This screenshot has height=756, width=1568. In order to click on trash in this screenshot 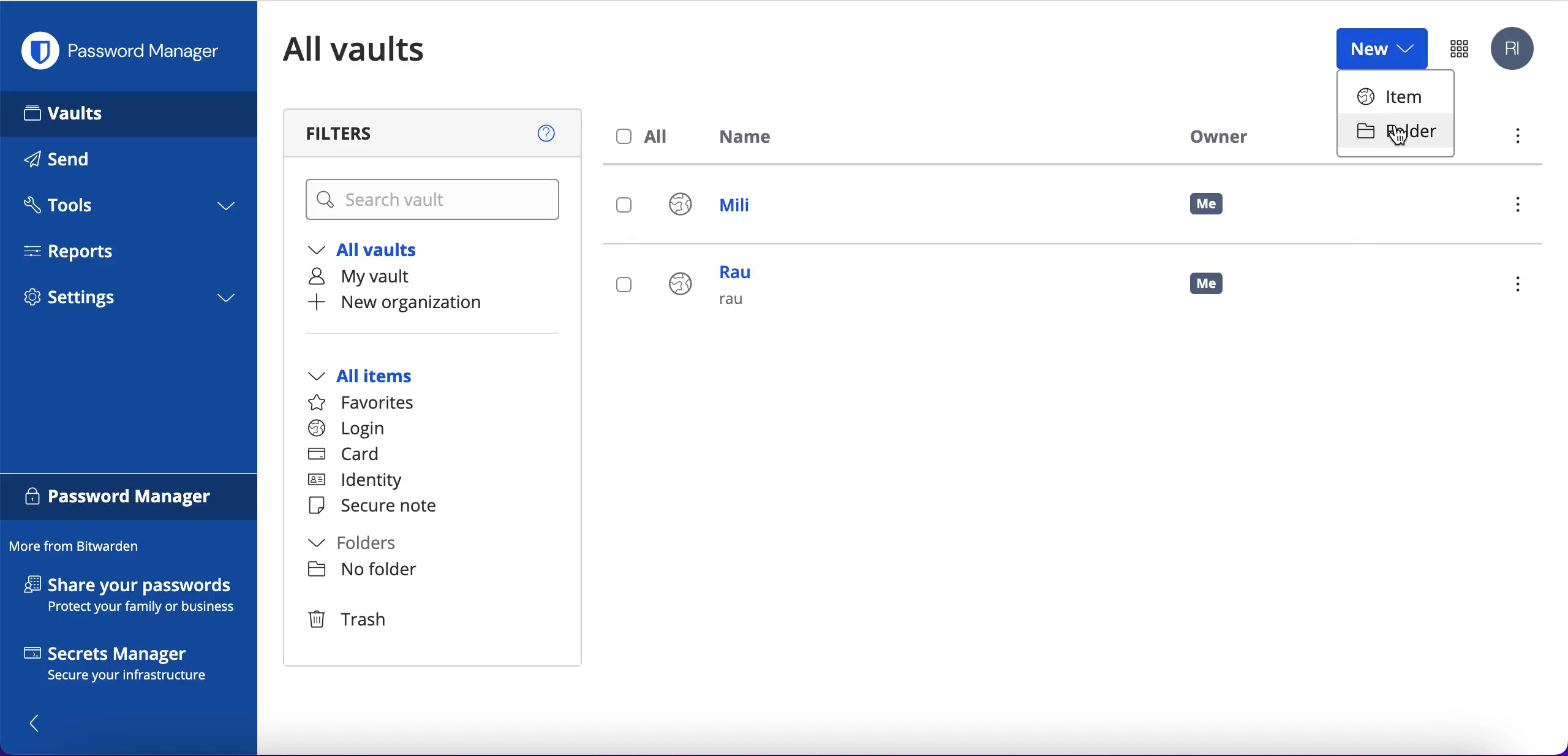, I will do `click(350, 621)`.